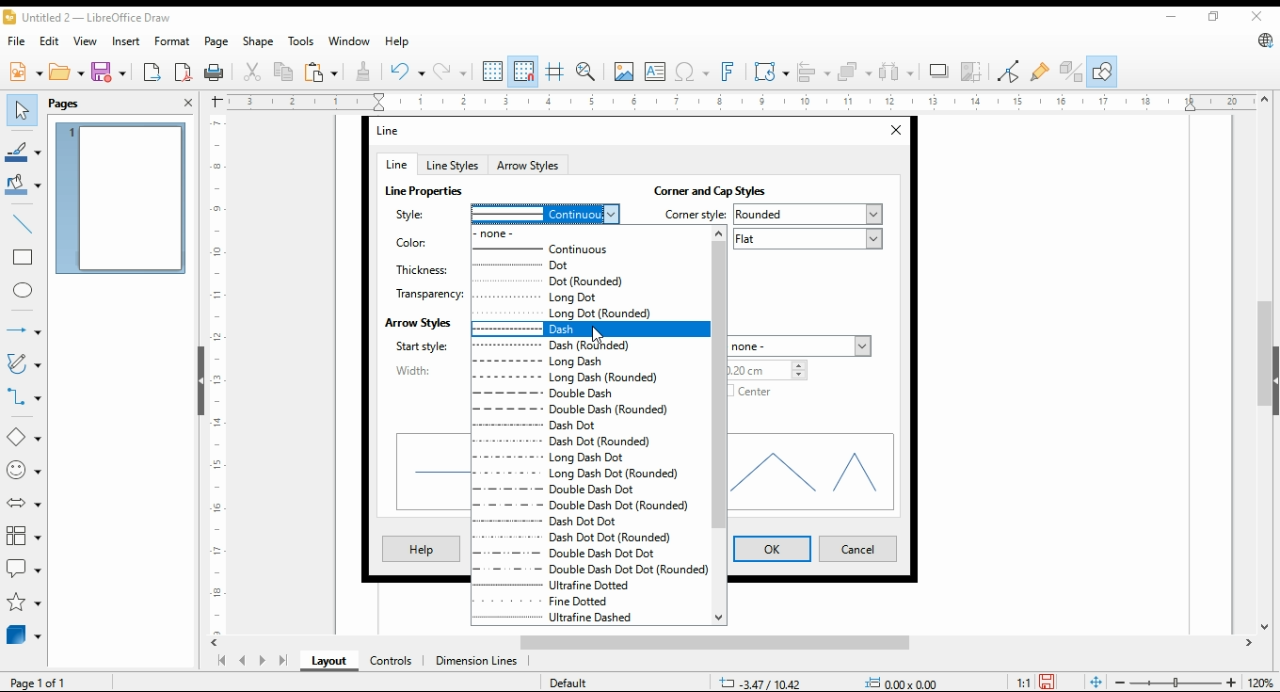 The height and width of the screenshot is (692, 1280). I want to click on vertical scale, so click(215, 374).